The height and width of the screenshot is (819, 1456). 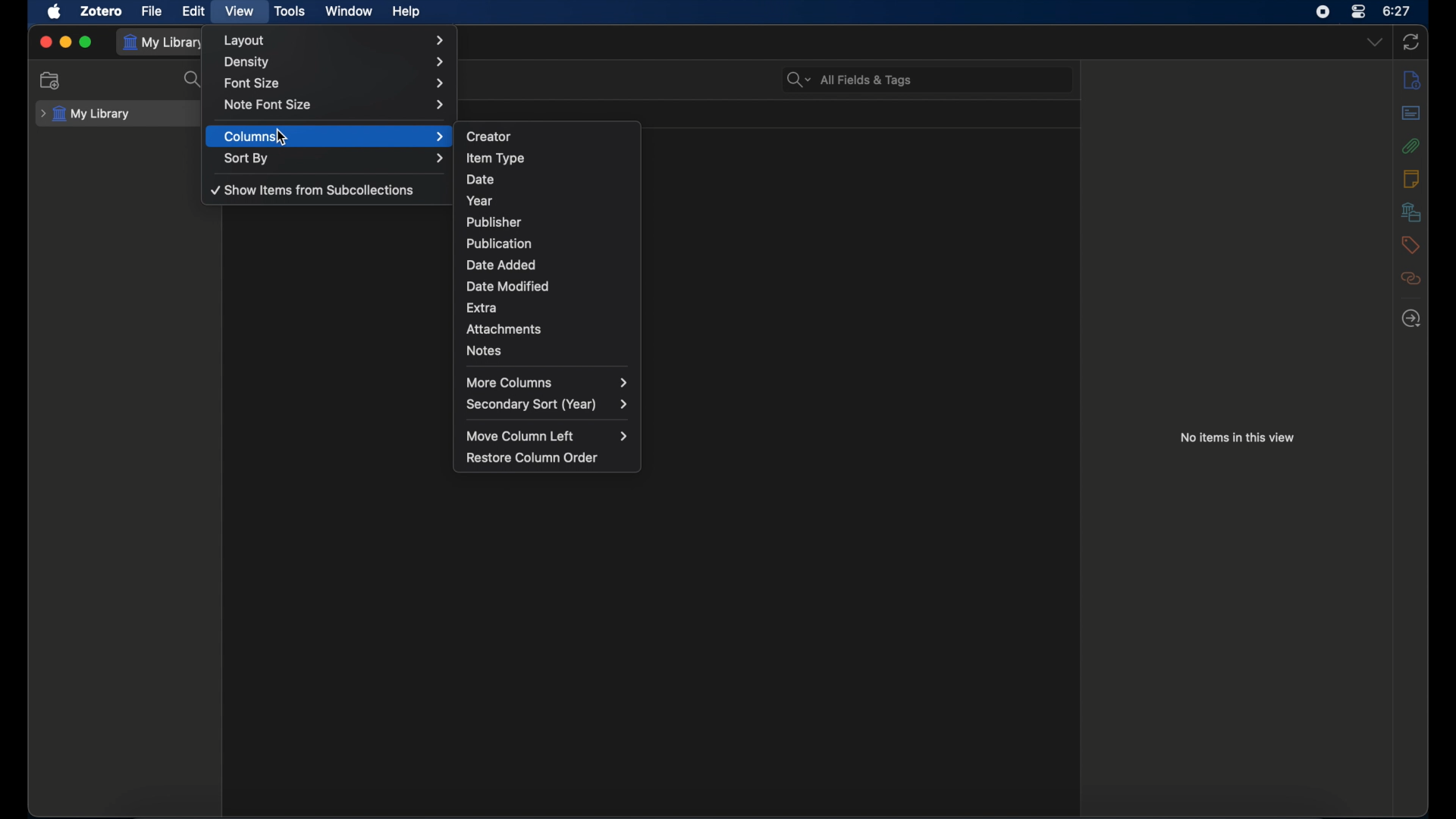 I want to click on view, so click(x=240, y=10).